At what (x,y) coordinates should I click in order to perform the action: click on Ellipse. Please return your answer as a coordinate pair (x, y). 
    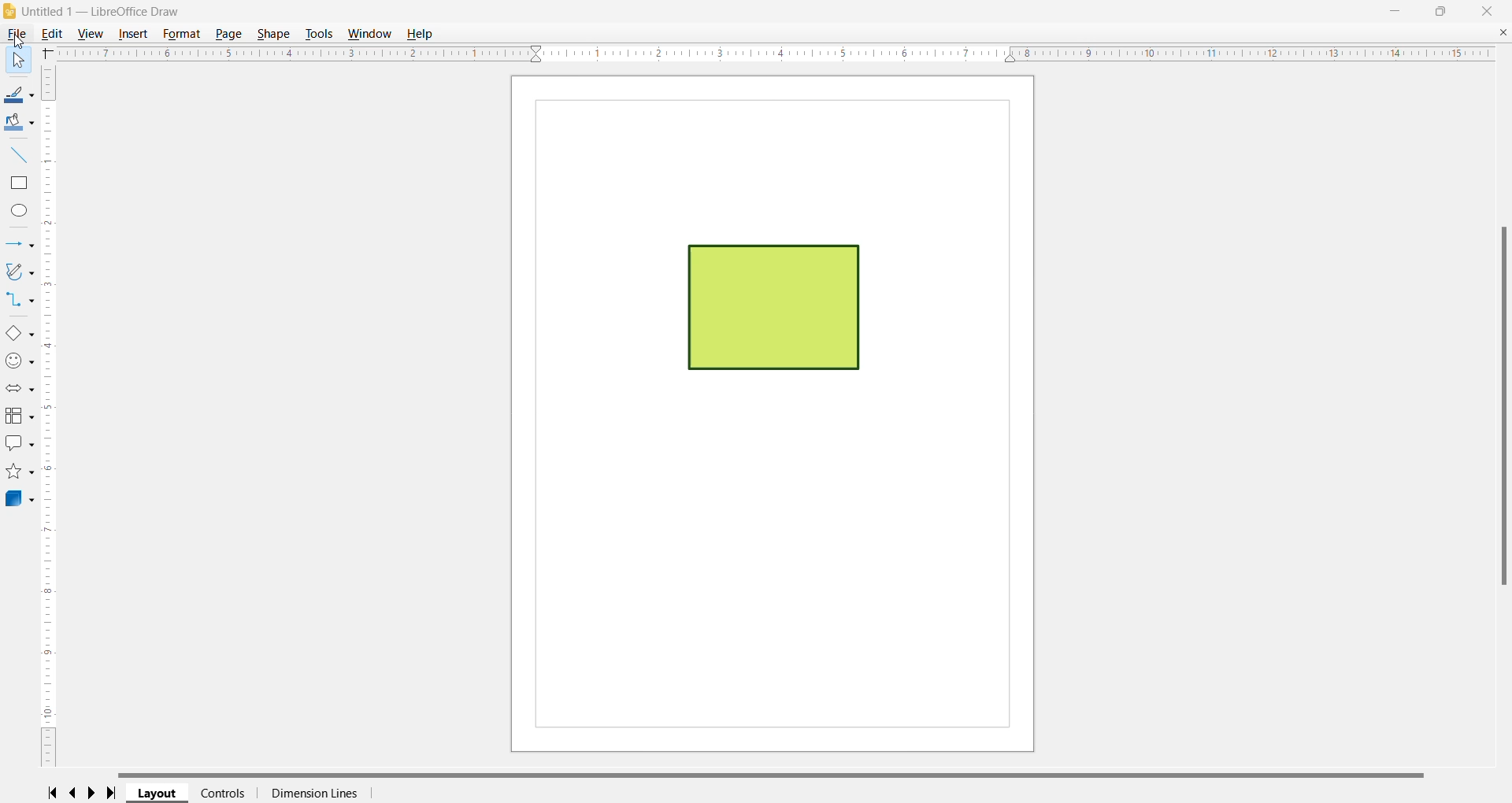
    Looking at the image, I should click on (20, 210).